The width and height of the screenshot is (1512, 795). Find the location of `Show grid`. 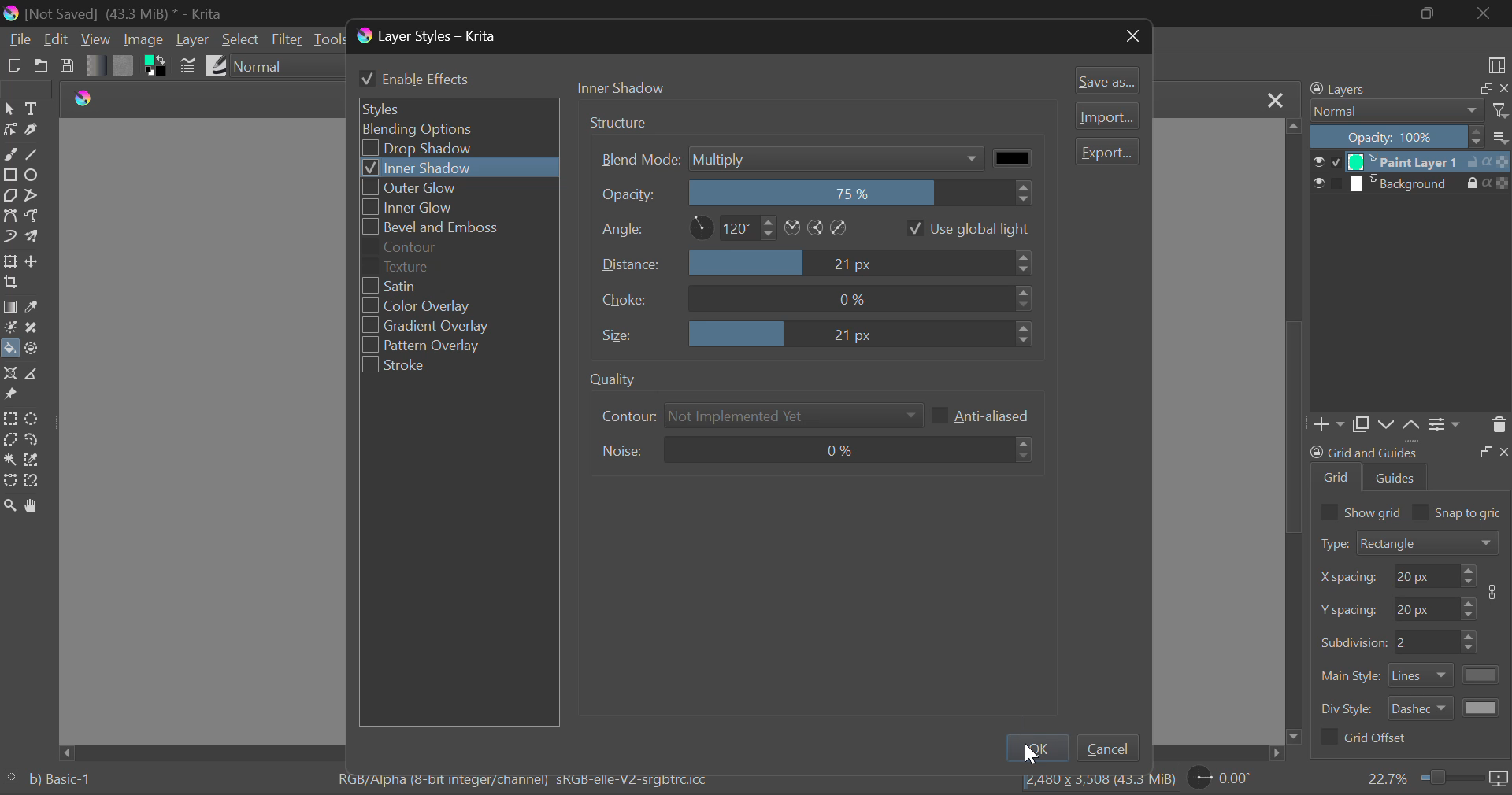

Show grid is located at coordinates (1360, 511).